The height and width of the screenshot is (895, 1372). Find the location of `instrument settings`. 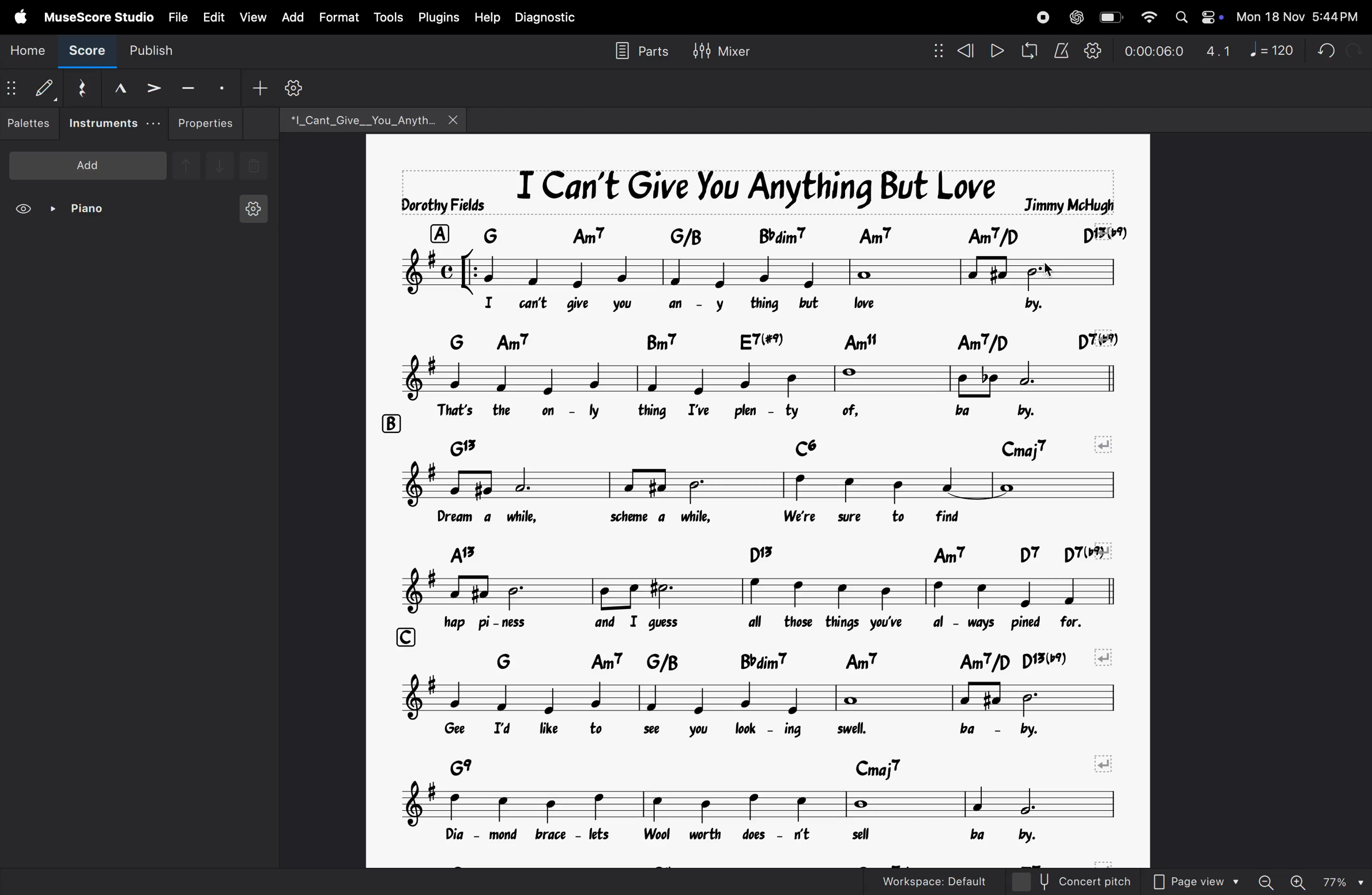

instrument settings is located at coordinates (251, 206).